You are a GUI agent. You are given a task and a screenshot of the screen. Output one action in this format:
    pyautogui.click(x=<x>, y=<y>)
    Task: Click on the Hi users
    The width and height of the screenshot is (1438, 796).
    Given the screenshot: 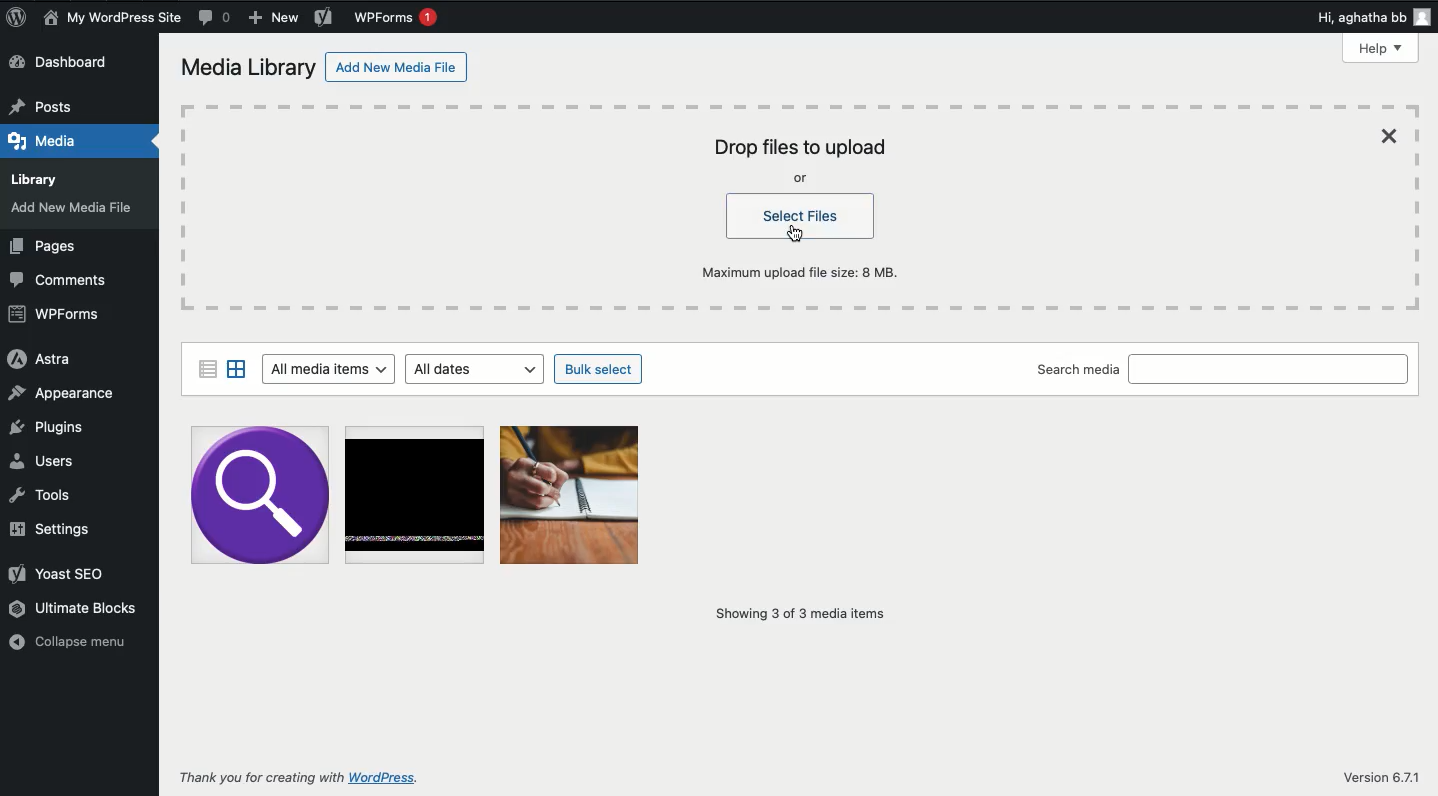 What is the action you would take?
    pyautogui.click(x=1376, y=18)
    